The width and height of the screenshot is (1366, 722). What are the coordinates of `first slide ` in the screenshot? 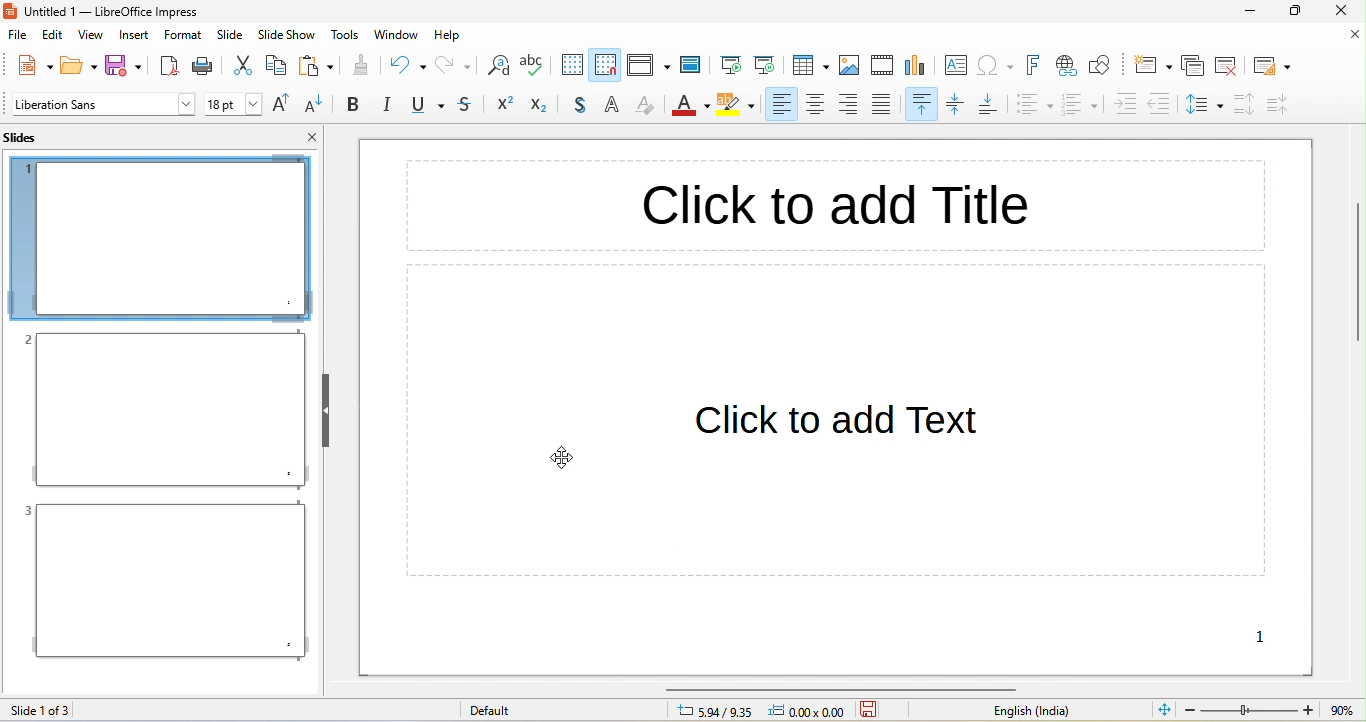 It's located at (731, 61).